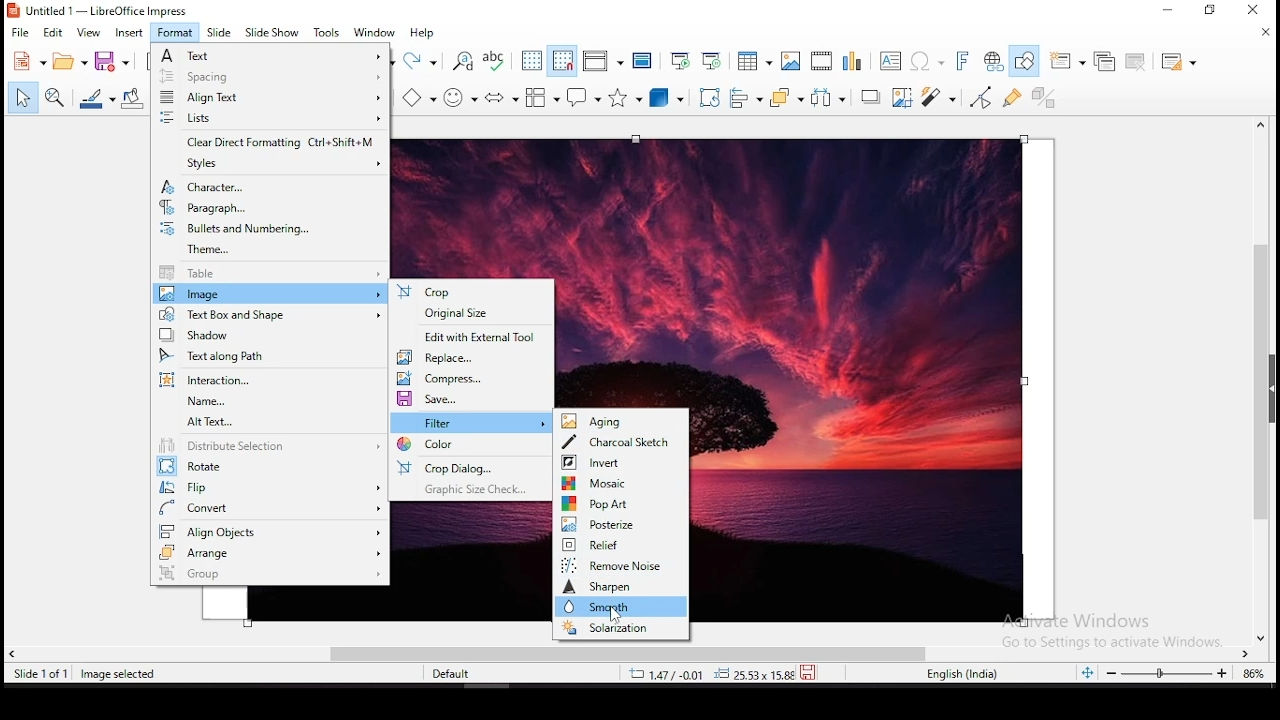  Describe the element at coordinates (119, 675) in the screenshot. I see `image seleted` at that location.